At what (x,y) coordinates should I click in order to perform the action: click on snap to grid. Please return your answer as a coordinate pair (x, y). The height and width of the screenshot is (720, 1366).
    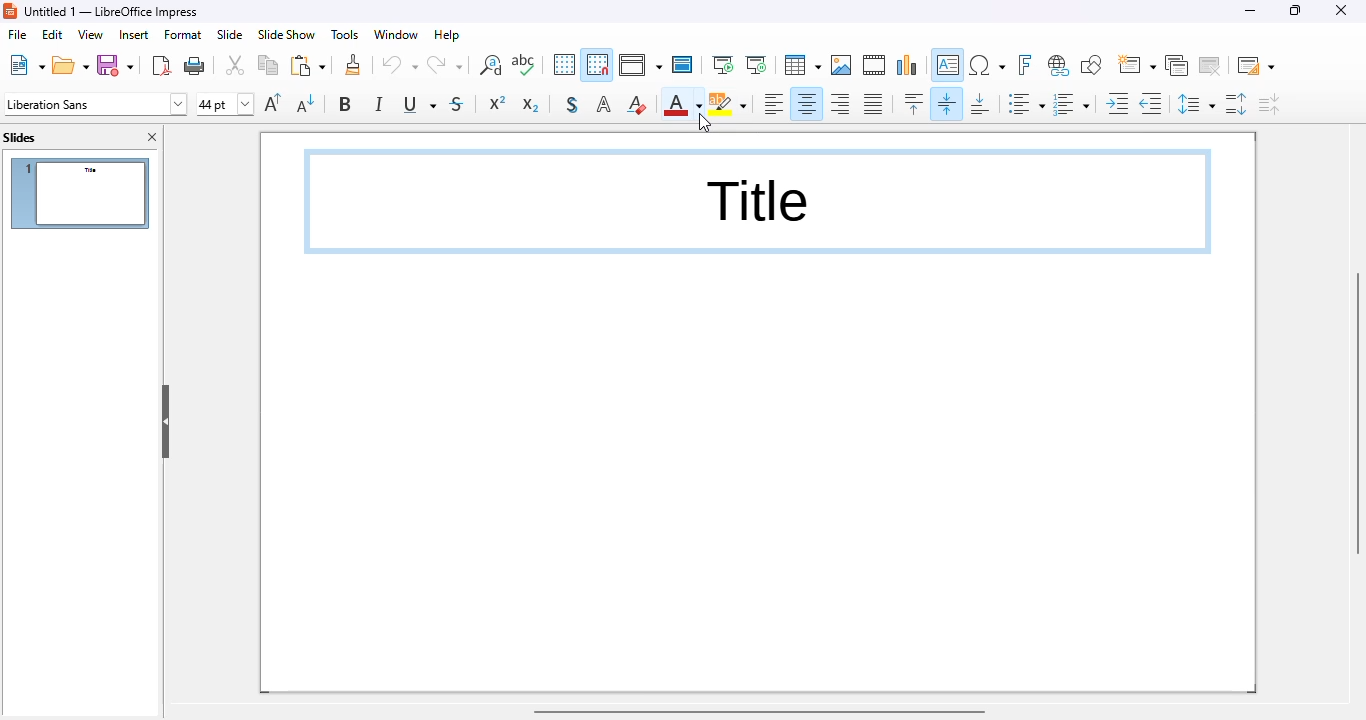
    Looking at the image, I should click on (597, 64).